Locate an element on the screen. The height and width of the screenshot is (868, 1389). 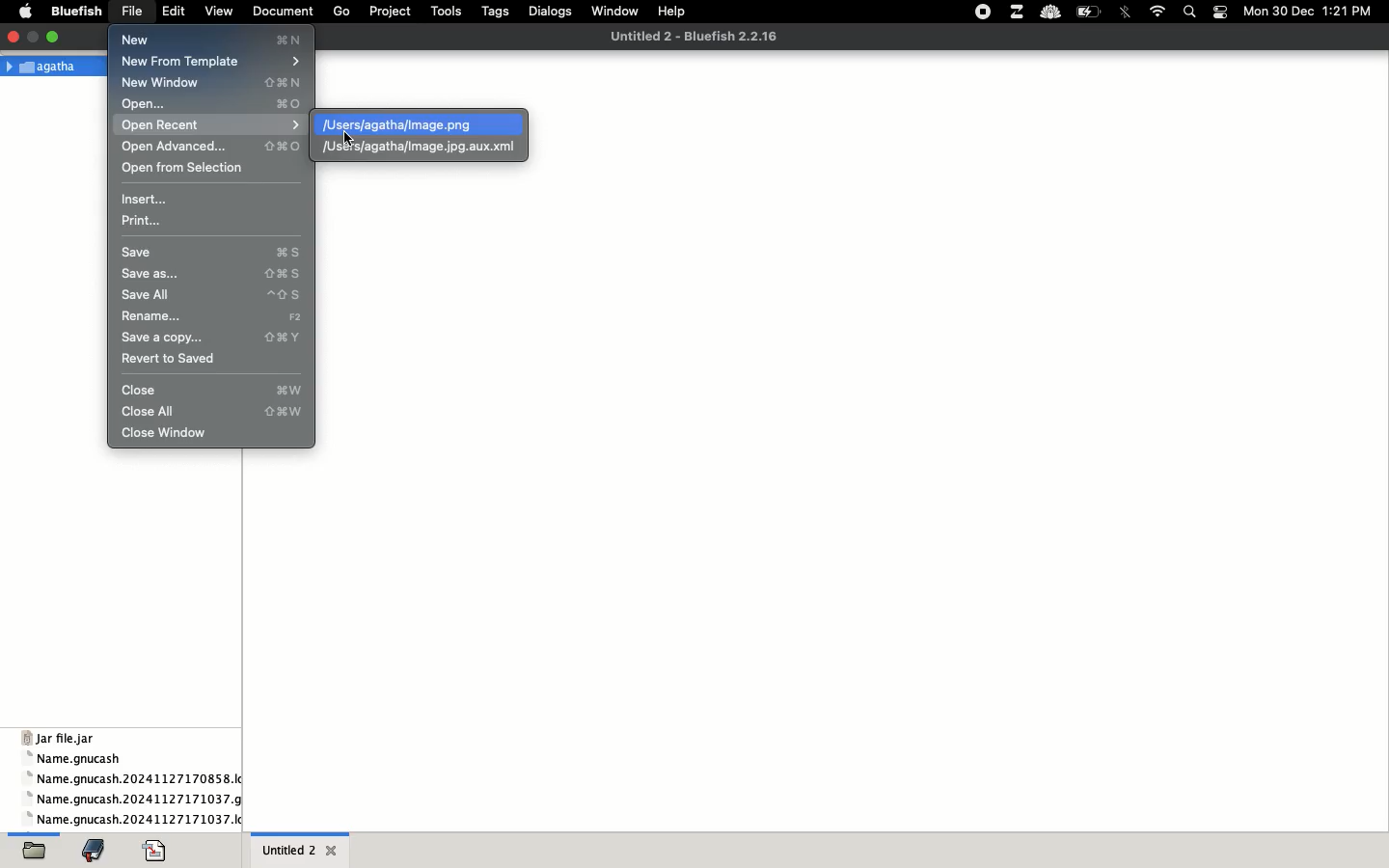
name gnucash is located at coordinates (73, 759).